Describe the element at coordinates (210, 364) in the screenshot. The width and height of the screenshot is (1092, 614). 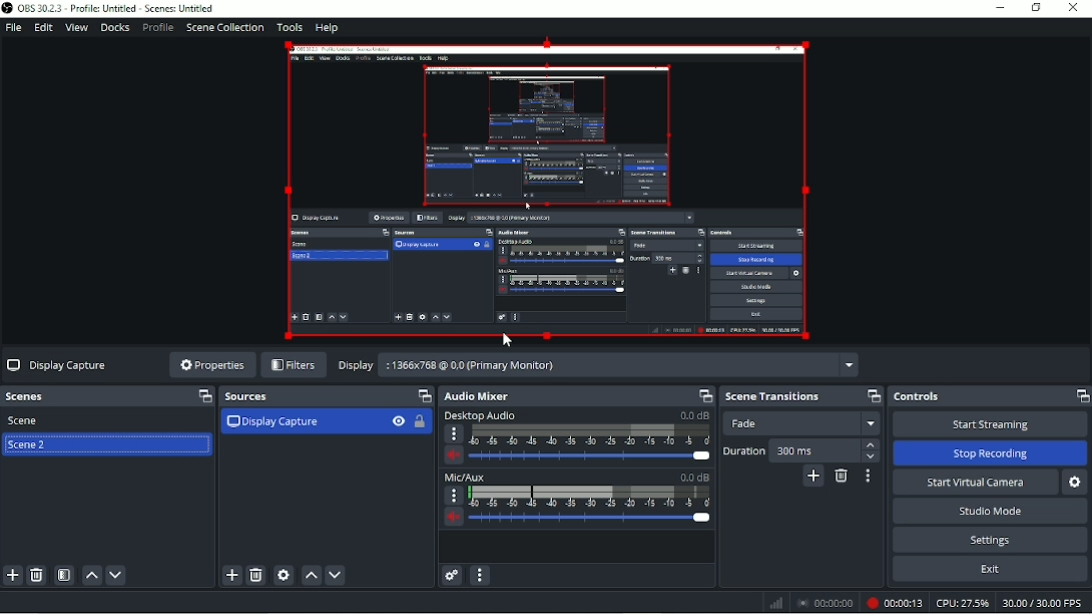
I see `Properties` at that location.